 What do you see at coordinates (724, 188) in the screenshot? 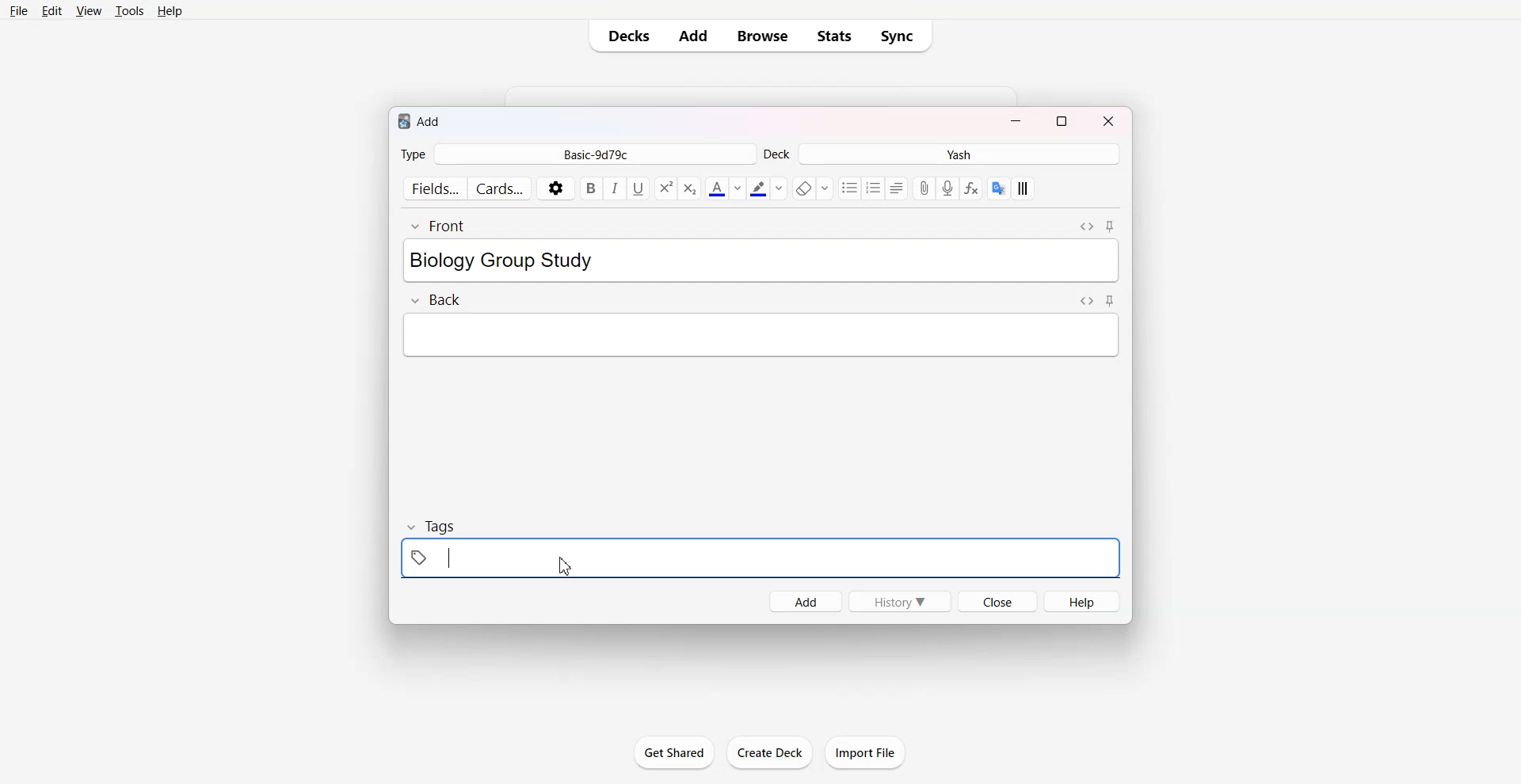
I see `Text Color` at bounding box center [724, 188].